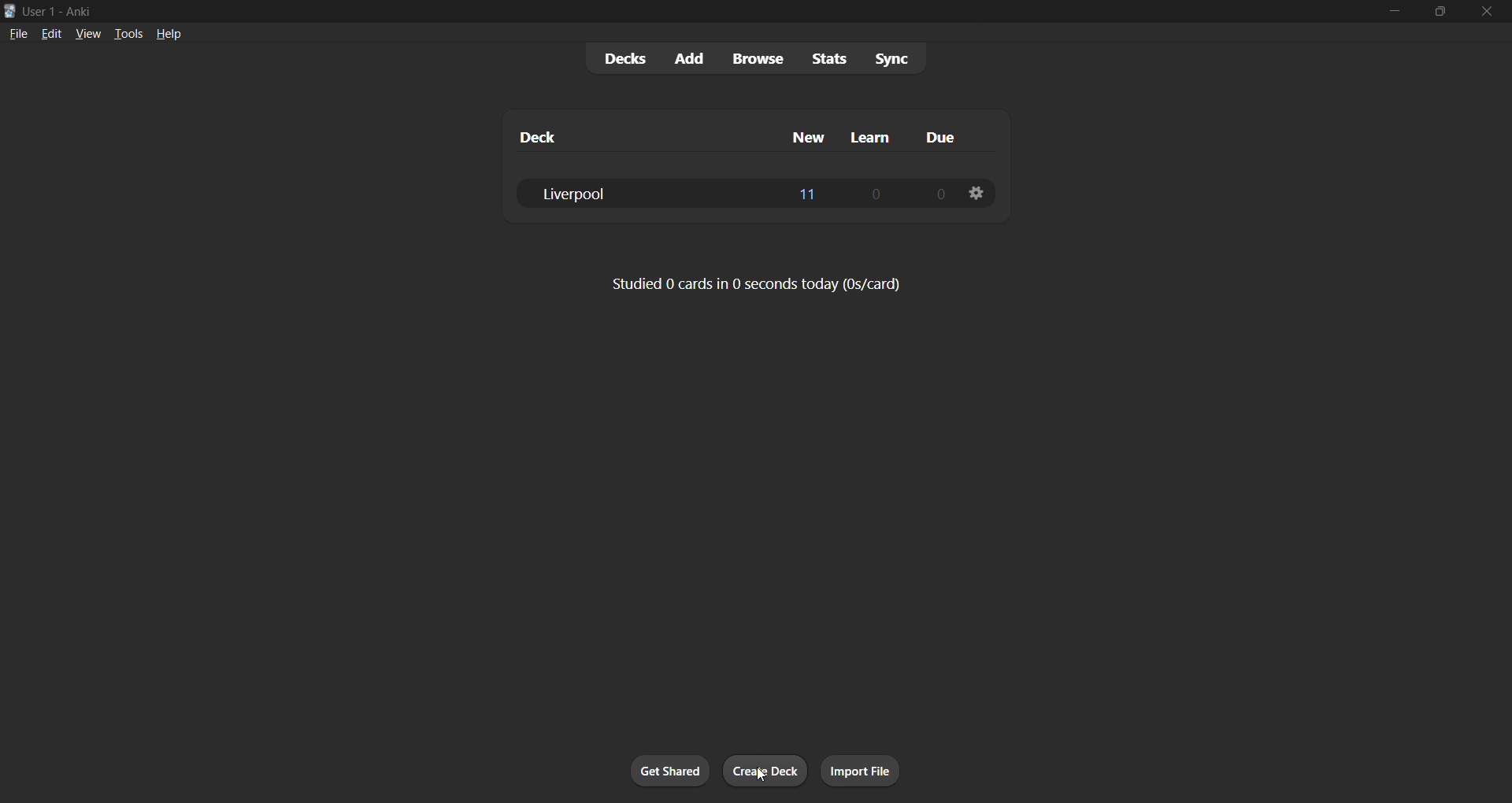  What do you see at coordinates (685, 56) in the screenshot?
I see `add` at bounding box center [685, 56].